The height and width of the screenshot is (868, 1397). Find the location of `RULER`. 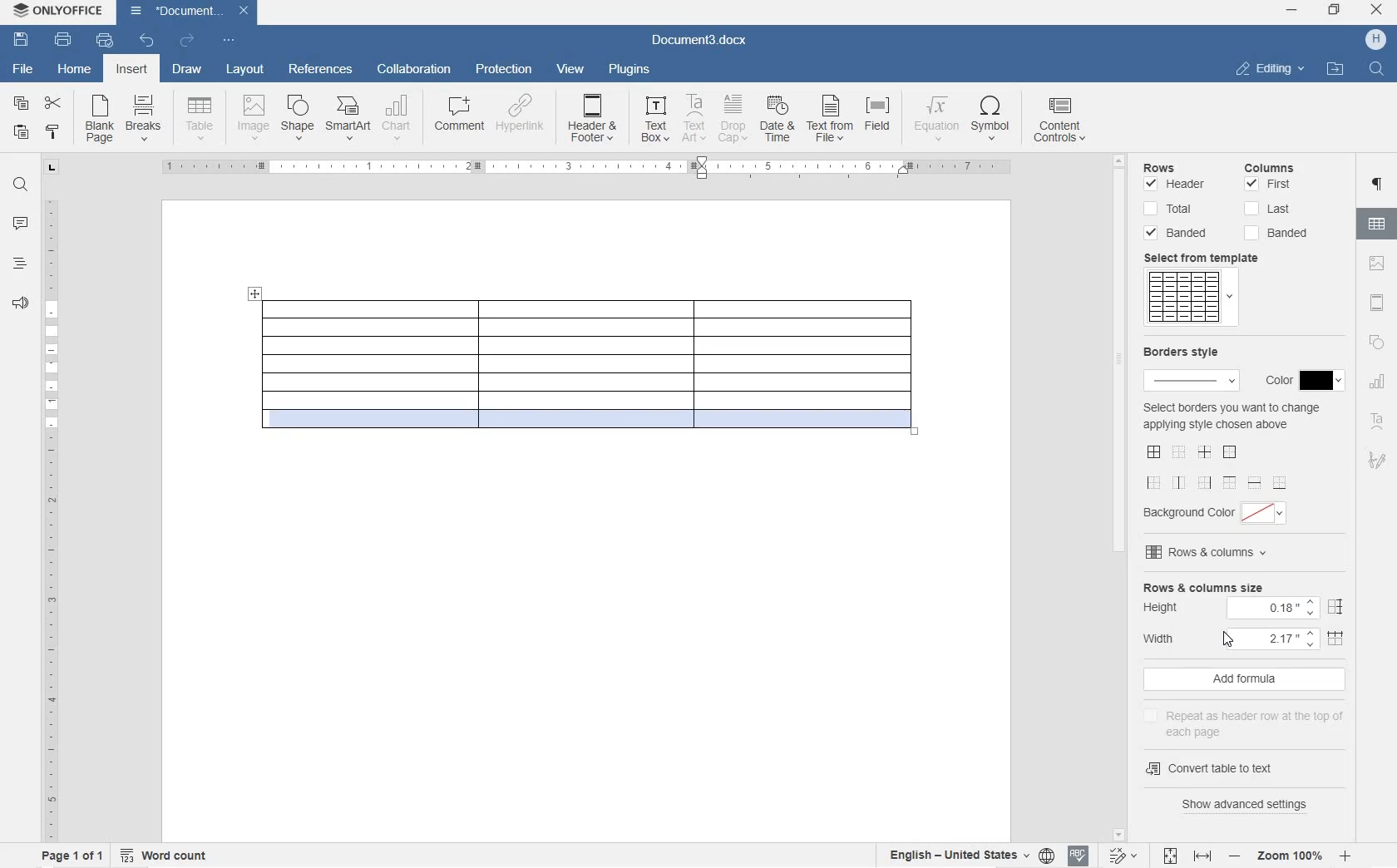

RULER is located at coordinates (575, 168).